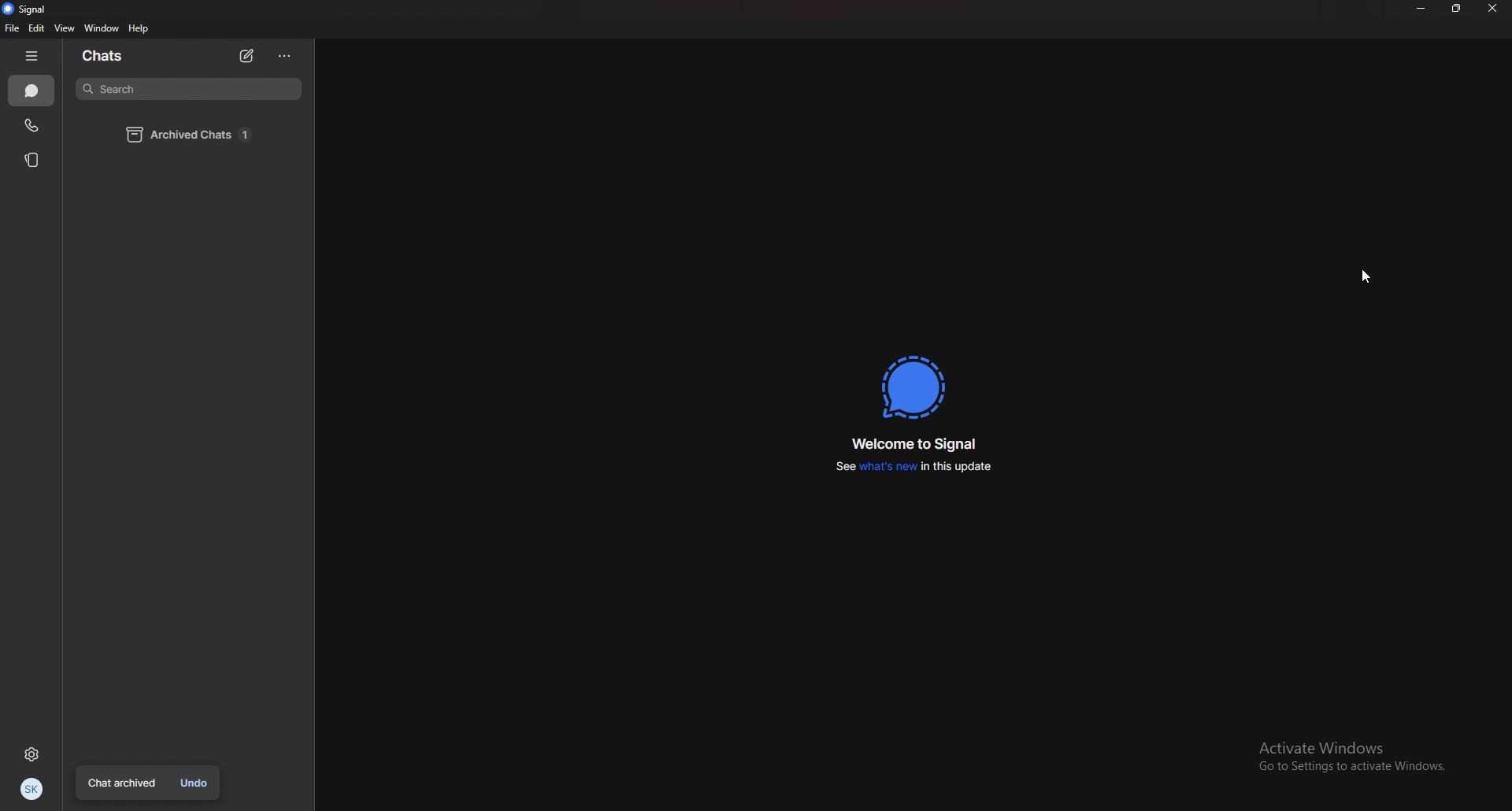  Describe the element at coordinates (38, 28) in the screenshot. I see `Edit` at that location.